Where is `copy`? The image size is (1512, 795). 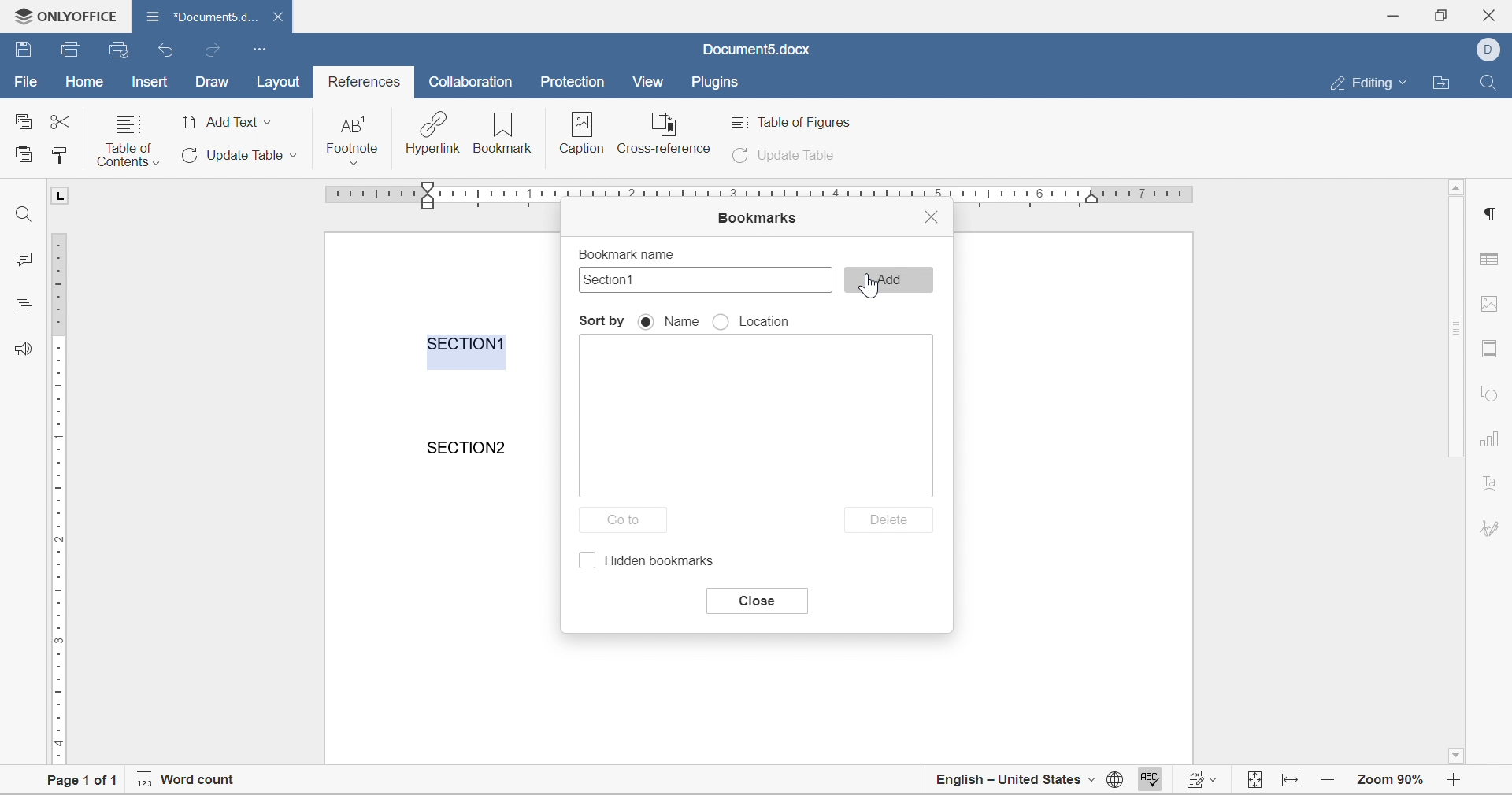 copy is located at coordinates (22, 120).